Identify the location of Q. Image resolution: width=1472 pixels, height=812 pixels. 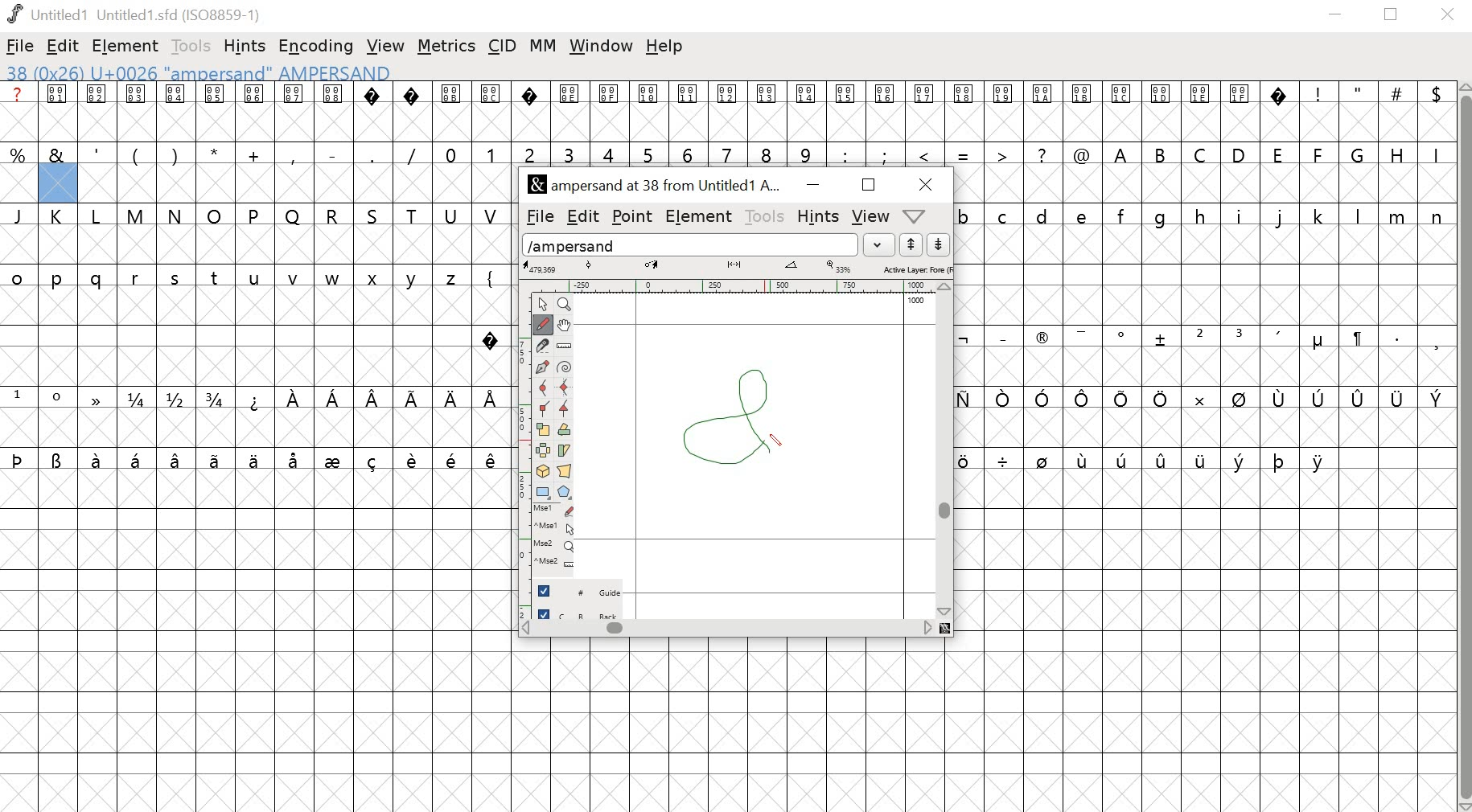
(293, 215).